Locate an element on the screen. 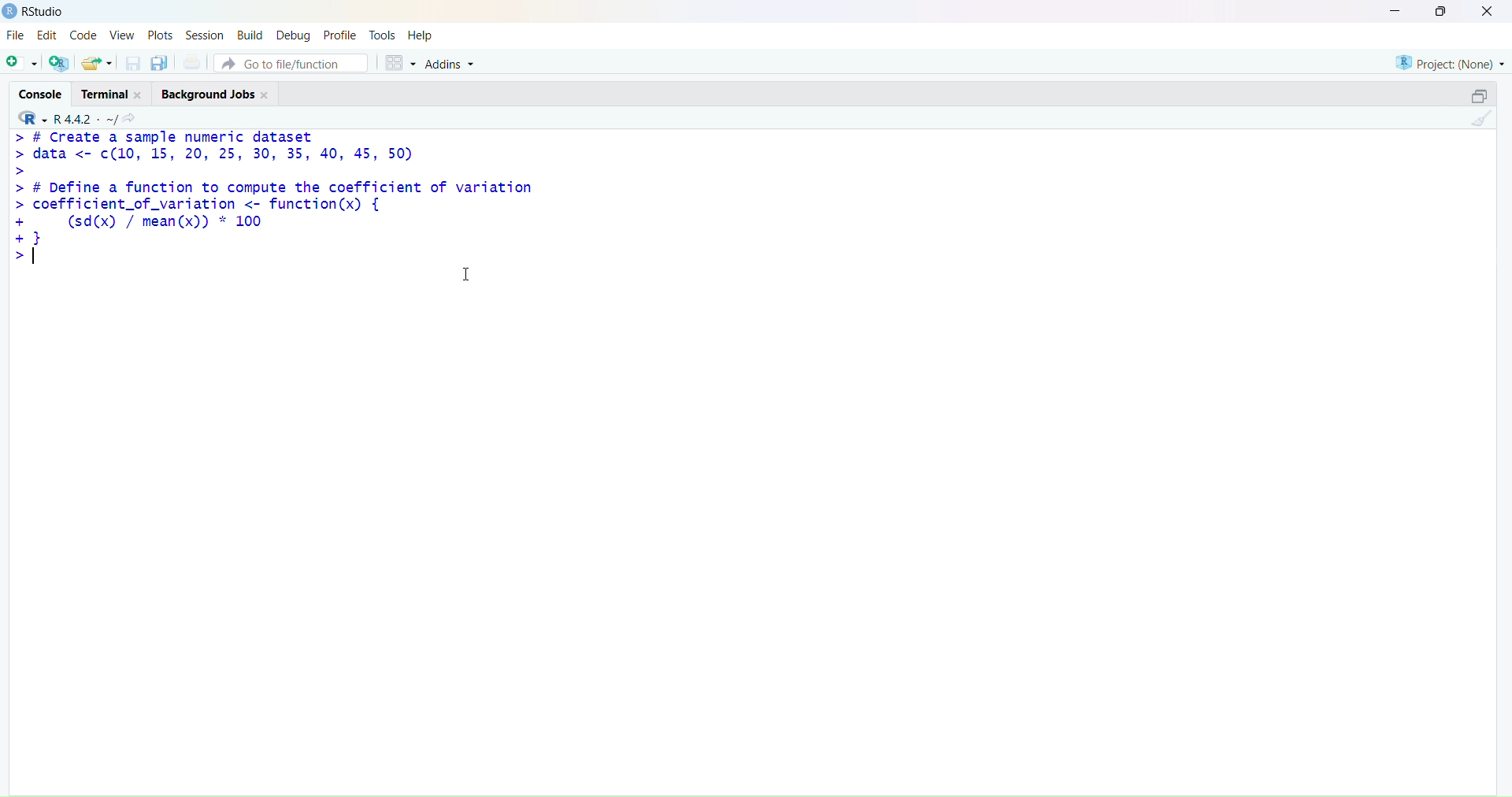 This screenshot has width=1512, height=797. console is located at coordinates (42, 94).